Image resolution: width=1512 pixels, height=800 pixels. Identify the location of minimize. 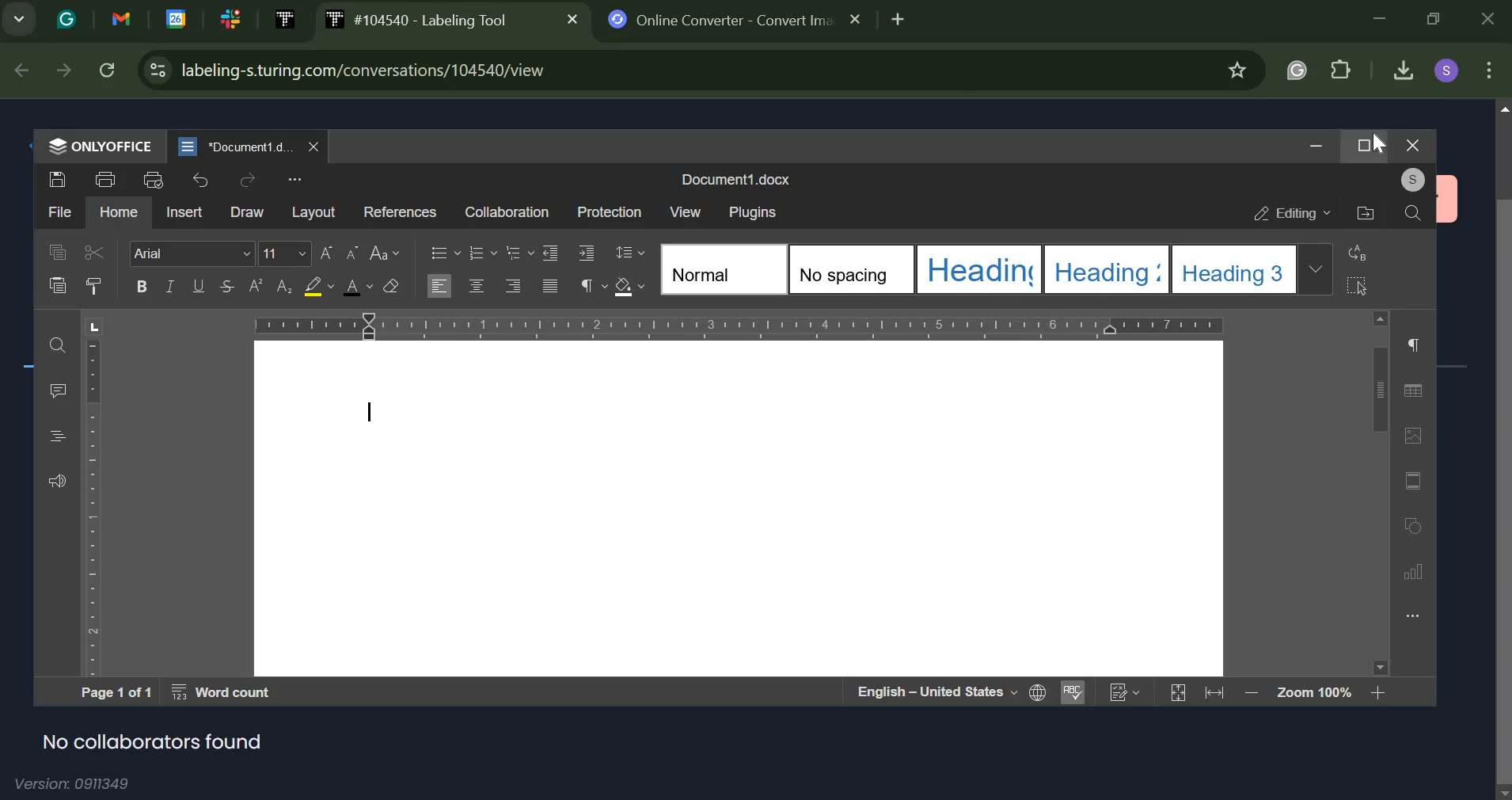
(1382, 19).